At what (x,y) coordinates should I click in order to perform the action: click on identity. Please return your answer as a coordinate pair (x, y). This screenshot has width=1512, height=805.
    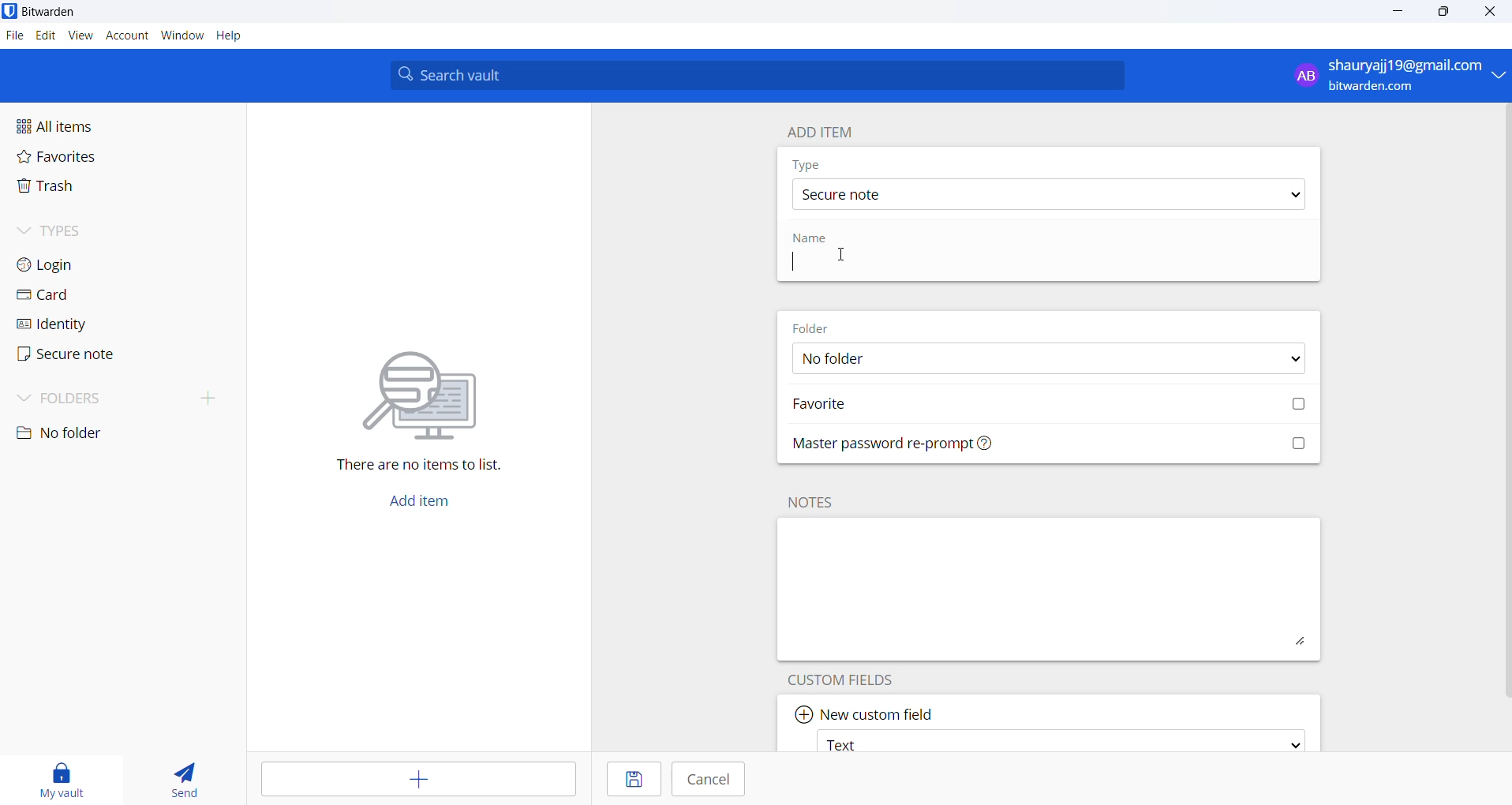
    Looking at the image, I should click on (85, 324).